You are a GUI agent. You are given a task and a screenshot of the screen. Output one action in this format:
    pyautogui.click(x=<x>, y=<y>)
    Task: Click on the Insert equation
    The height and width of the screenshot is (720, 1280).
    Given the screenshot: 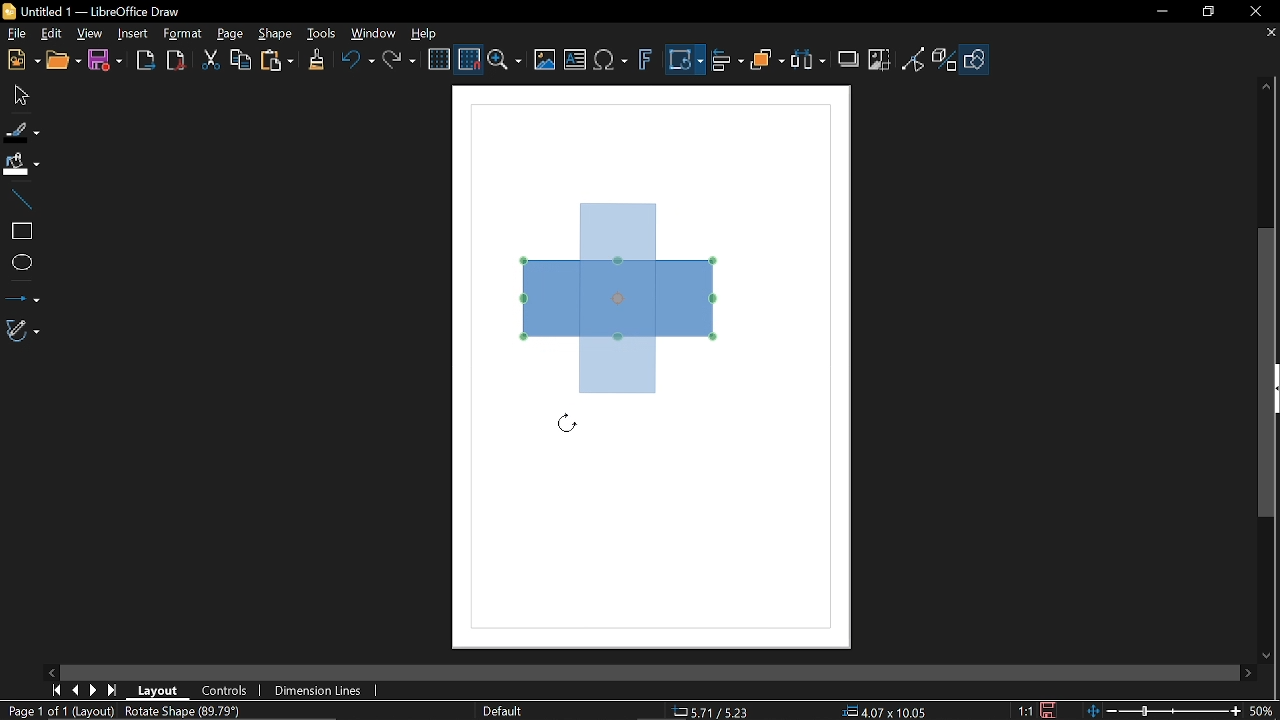 What is the action you would take?
    pyautogui.click(x=610, y=63)
    